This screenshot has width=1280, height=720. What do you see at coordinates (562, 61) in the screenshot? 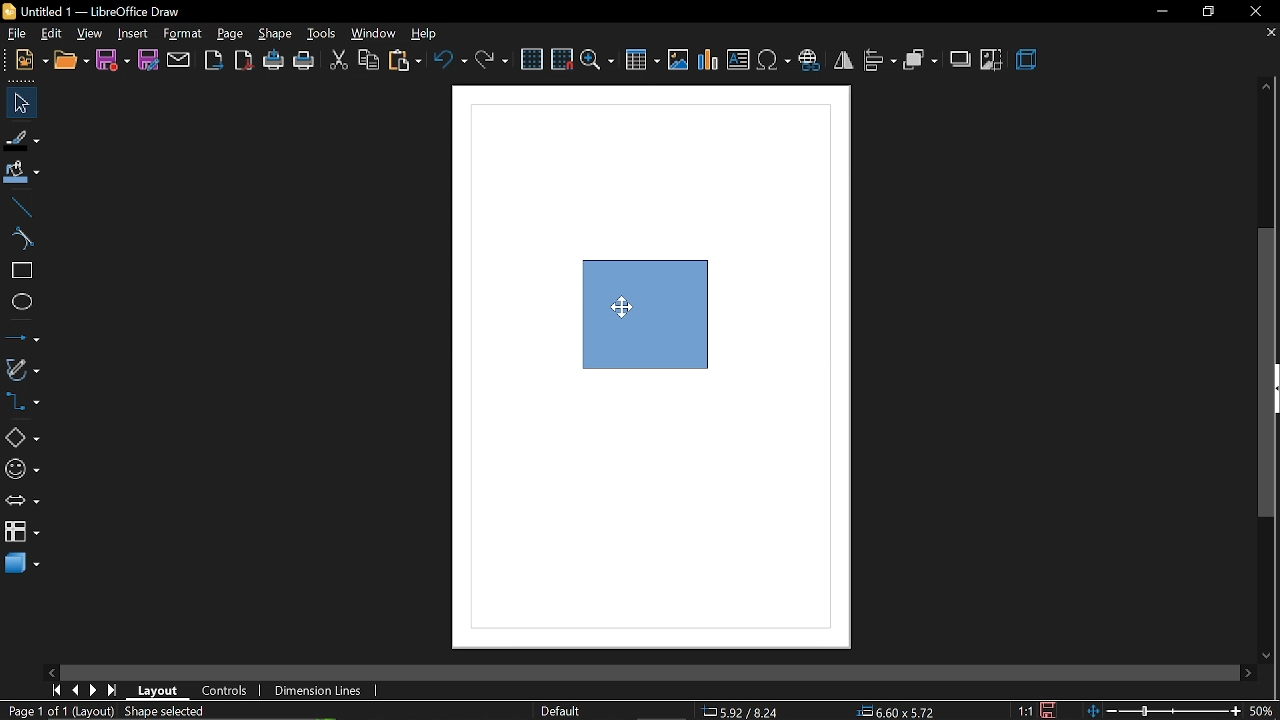
I see `snap to grid` at bounding box center [562, 61].